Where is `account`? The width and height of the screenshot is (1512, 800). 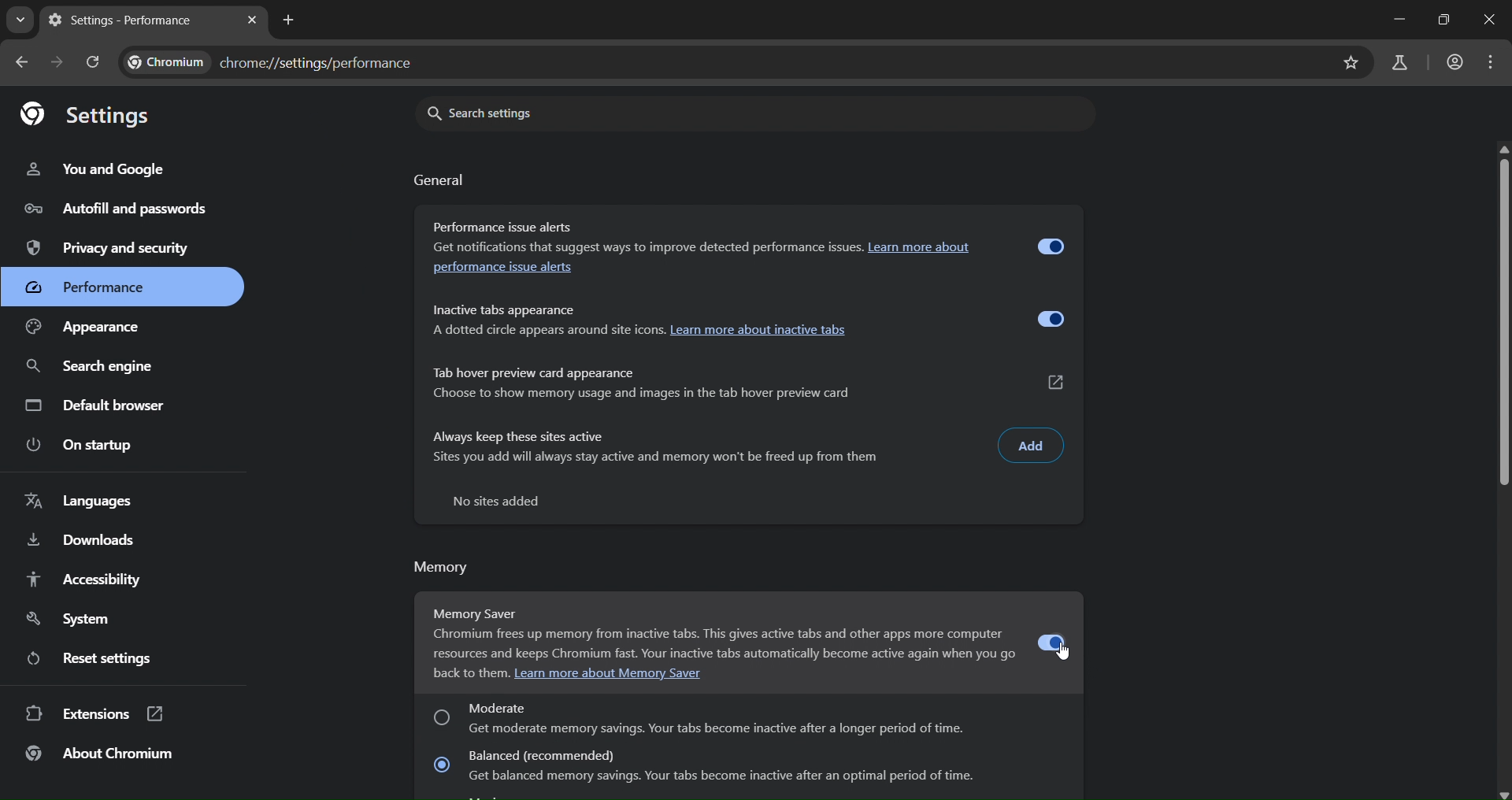 account is located at coordinates (1456, 59).